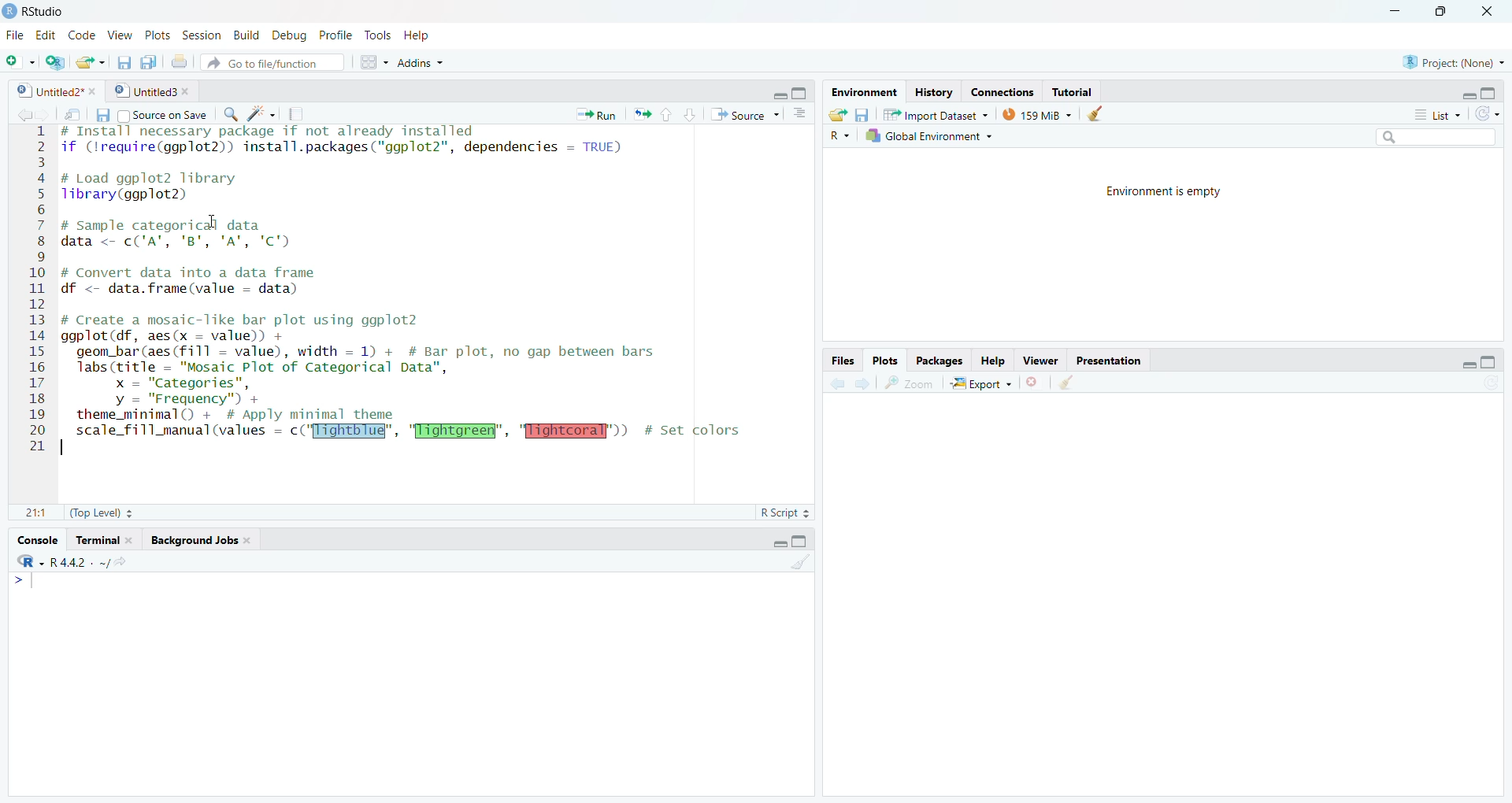 The width and height of the screenshot is (1512, 803). Describe the element at coordinates (150, 62) in the screenshot. I see `Save all open files` at that location.